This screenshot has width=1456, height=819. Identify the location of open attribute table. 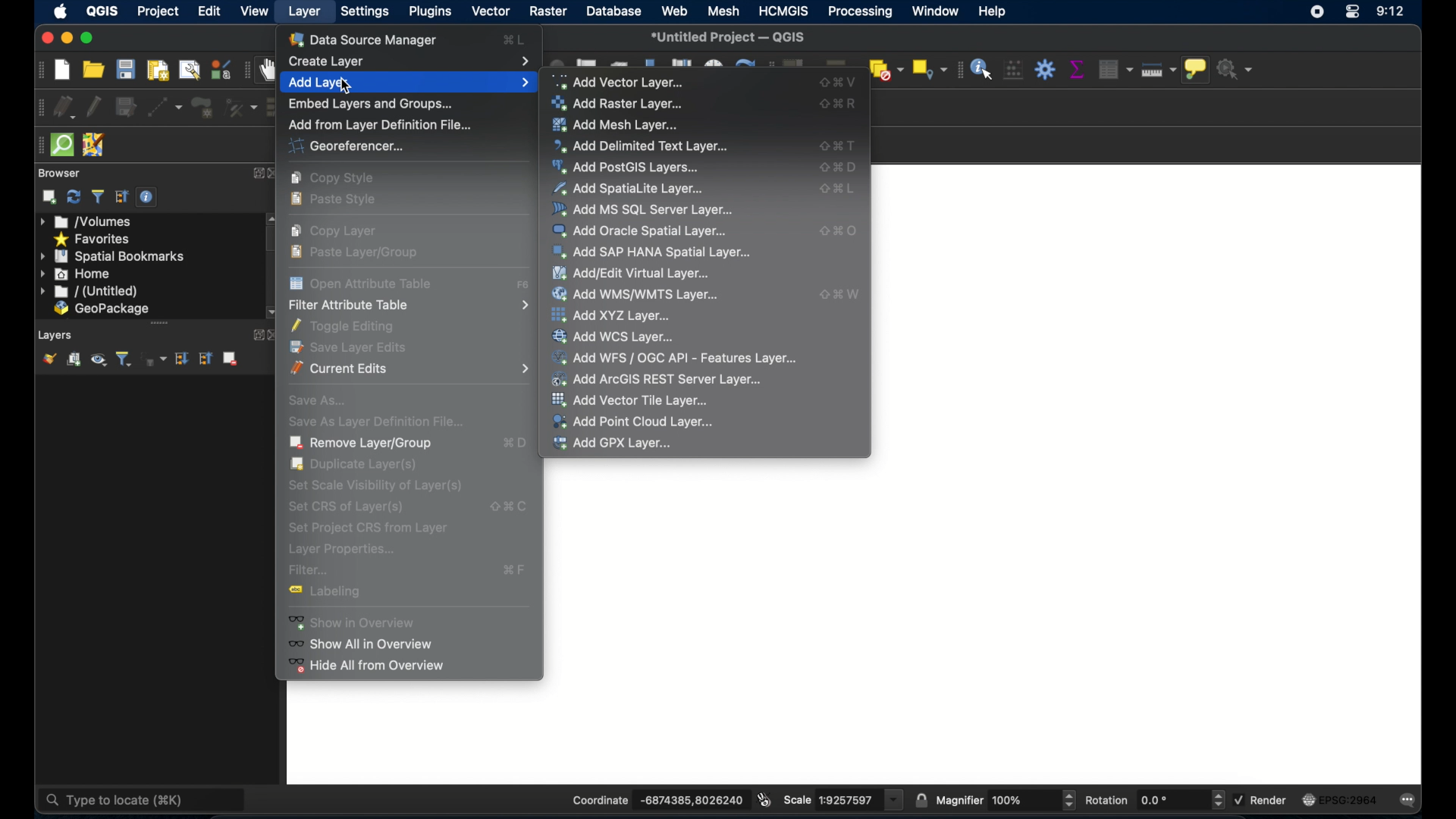
(1117, 69).